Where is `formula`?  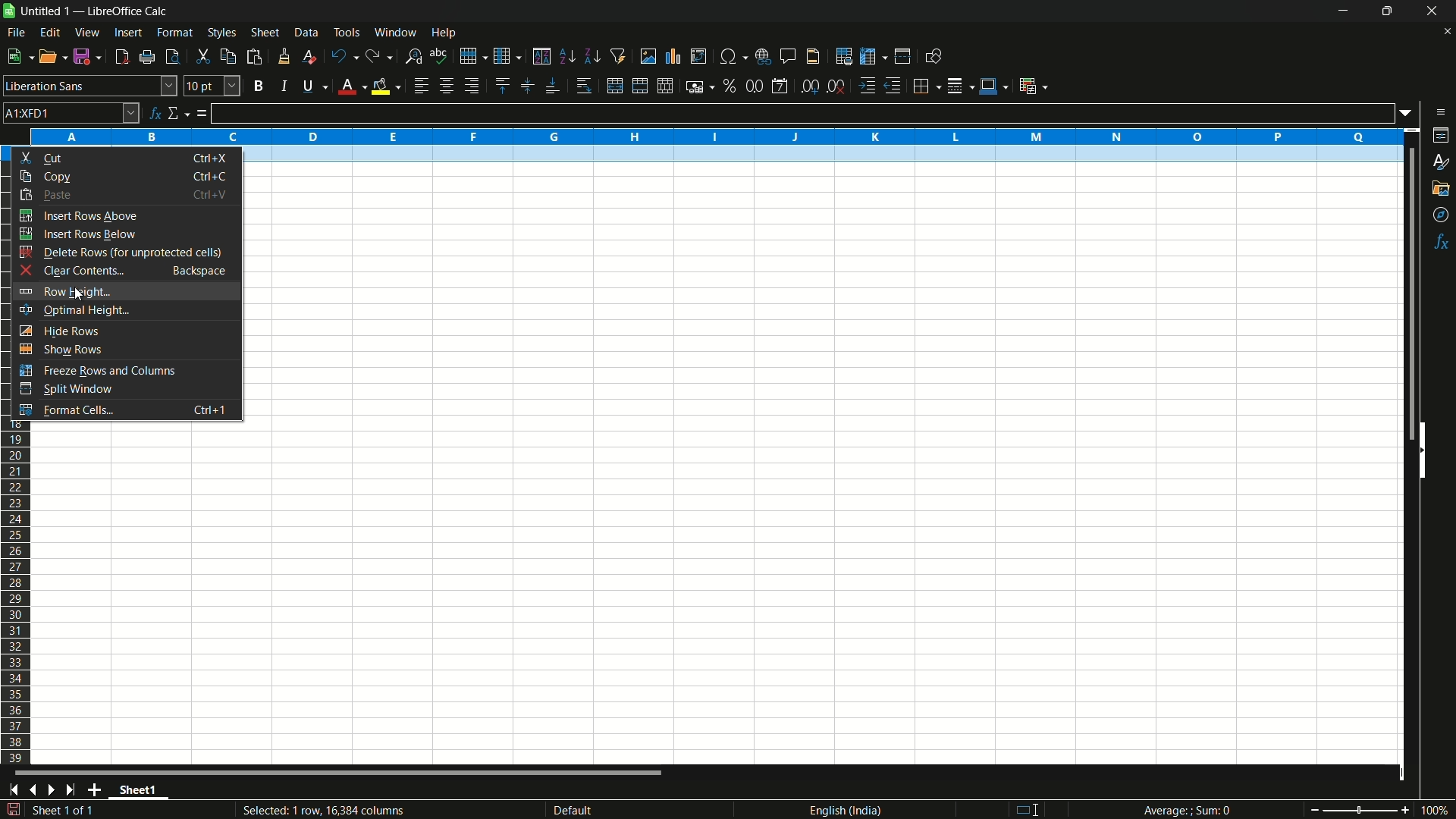 formula is located at coordinates (202, 115).